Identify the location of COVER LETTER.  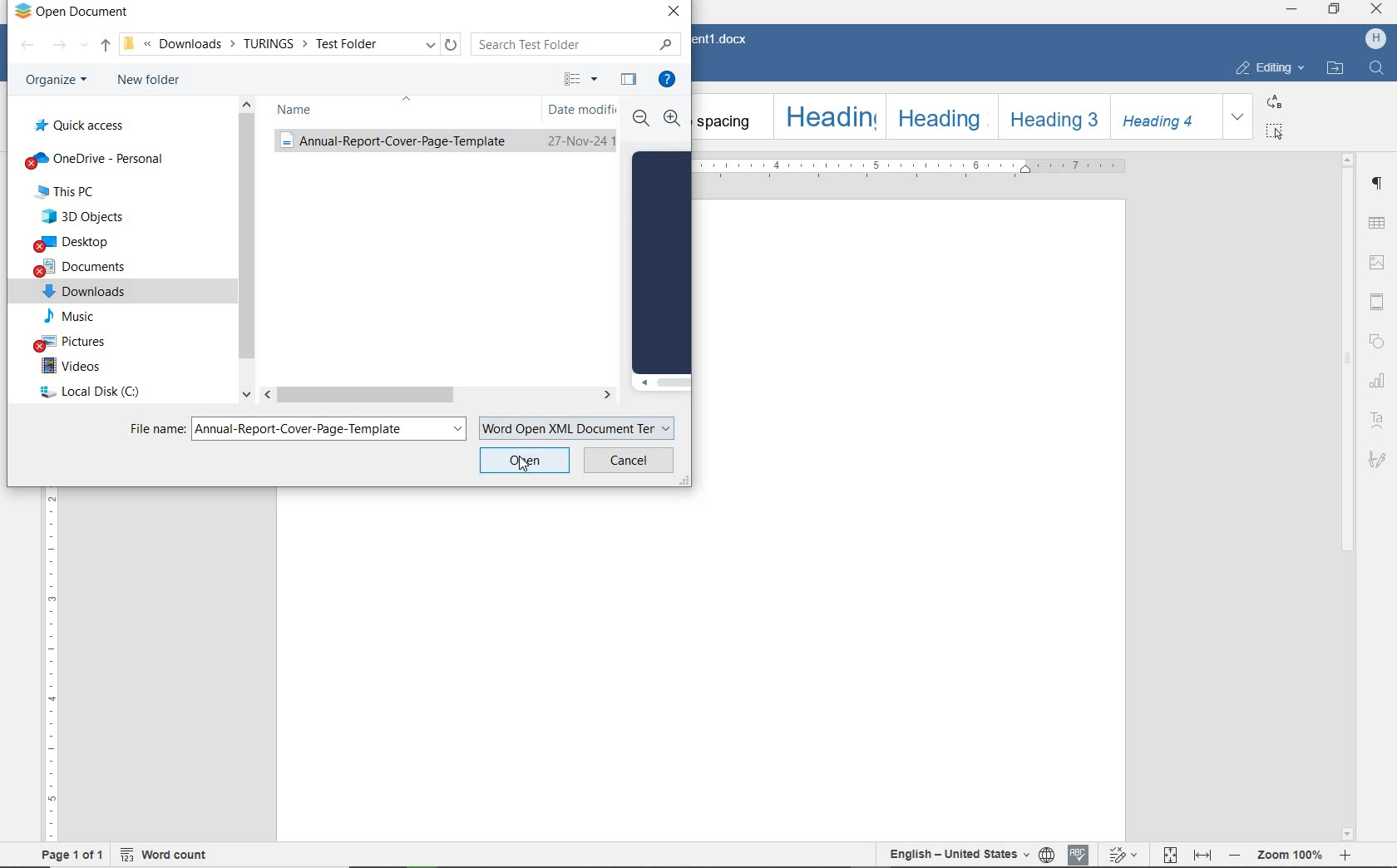
(445, 141).